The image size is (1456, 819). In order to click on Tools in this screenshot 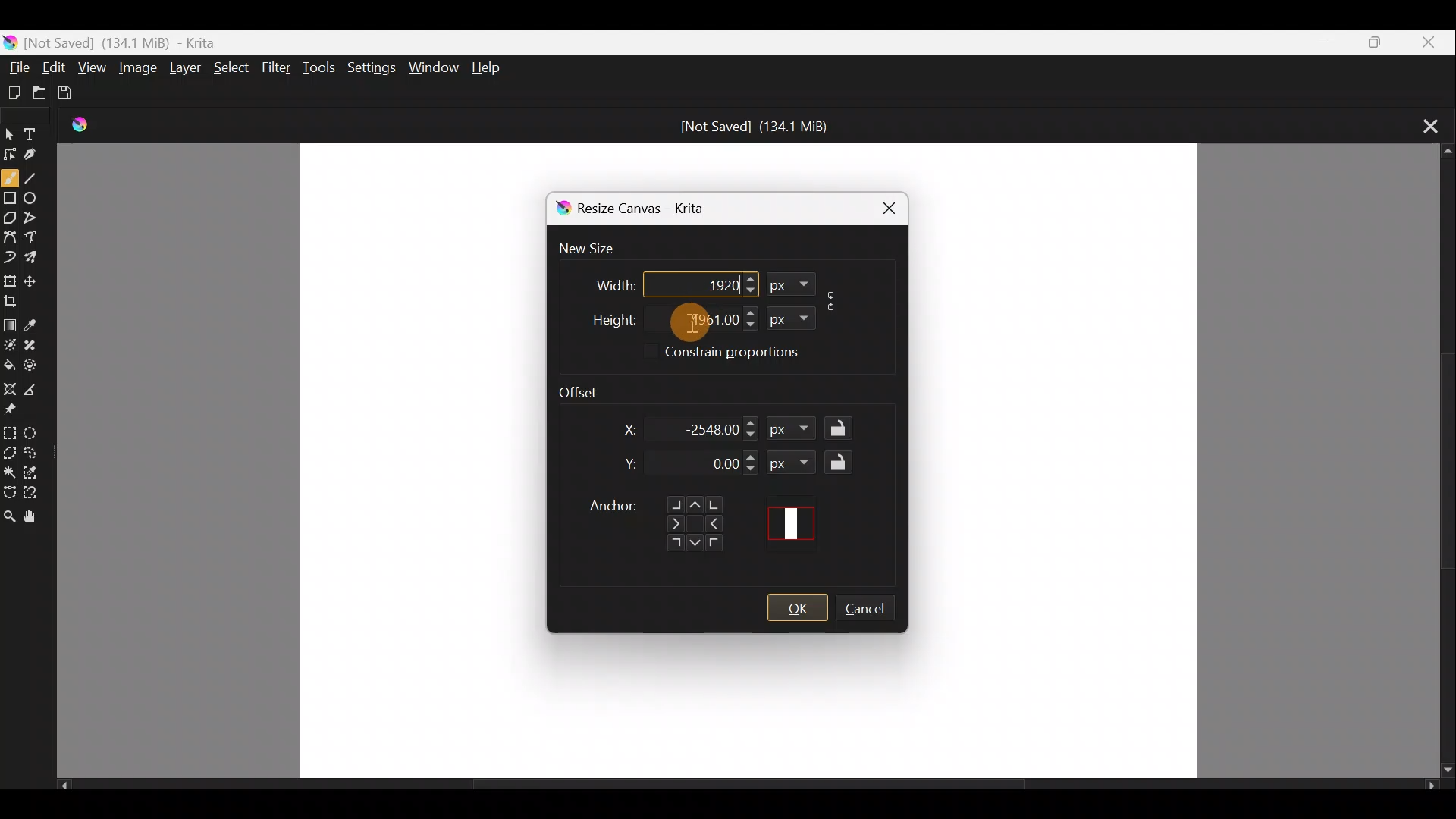, I will do `click(322, 68)`.